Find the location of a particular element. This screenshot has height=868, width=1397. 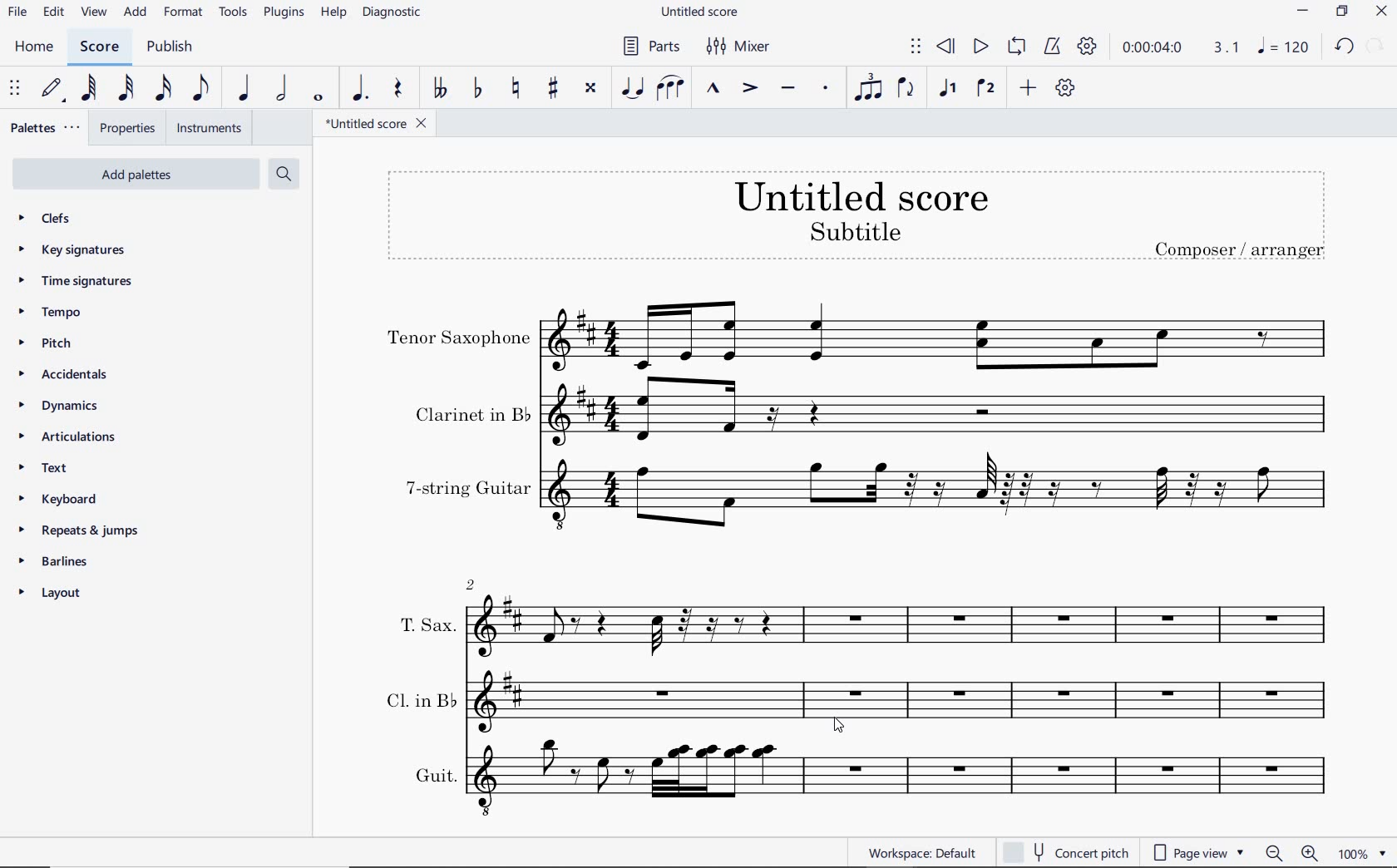

WHOLE NOTE is located at coordinates (318, 98).